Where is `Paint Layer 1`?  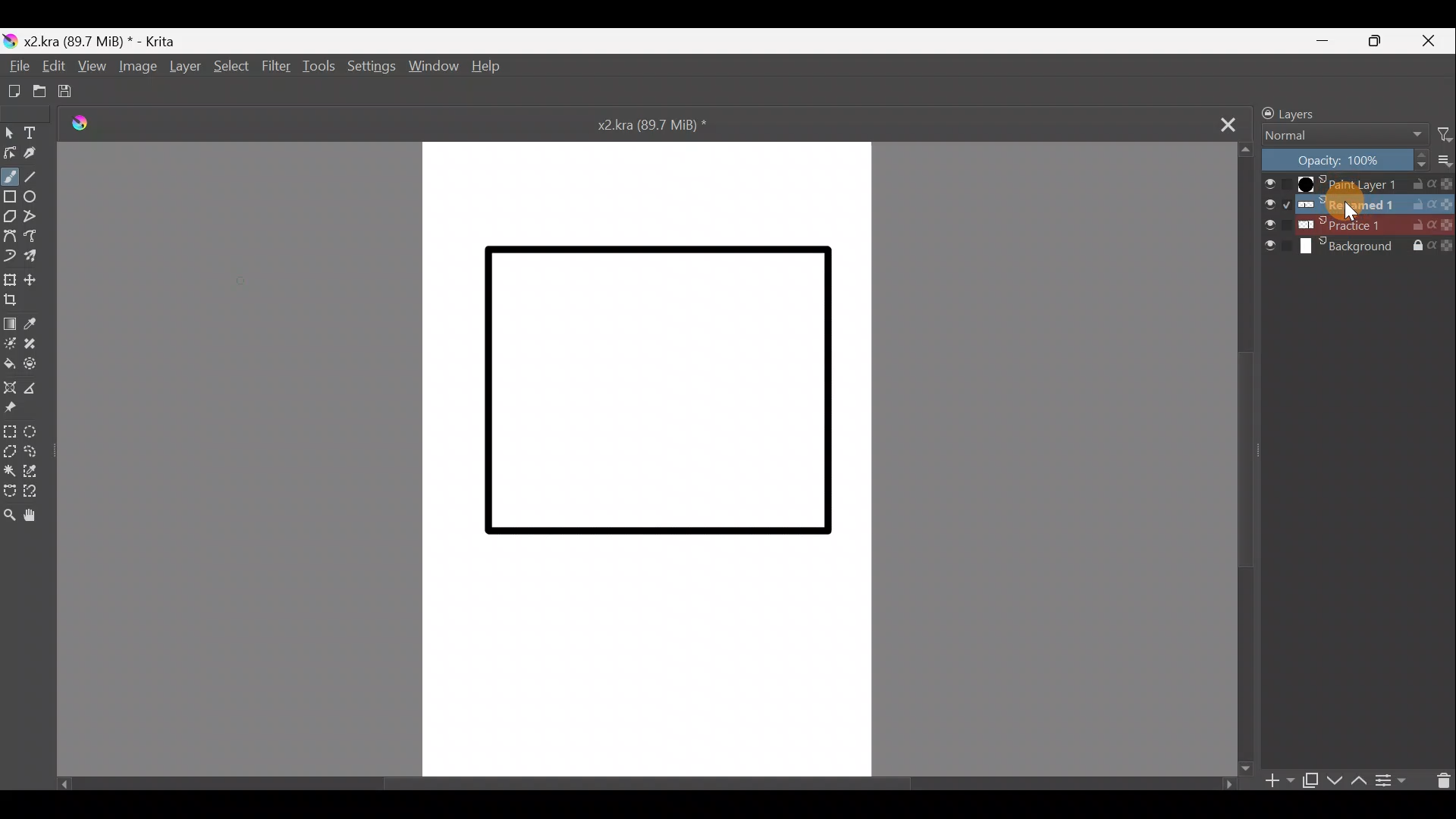 Paint Layer 1 is located at coordinates (1355, 184).